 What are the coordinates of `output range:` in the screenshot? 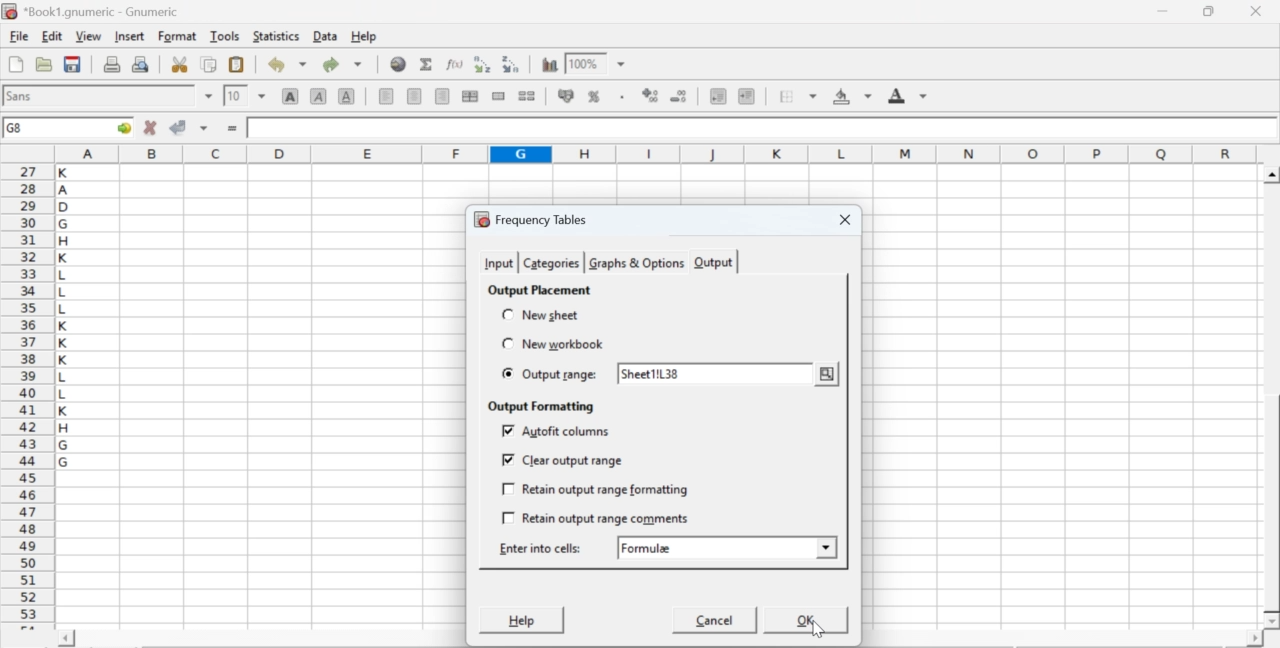 It's located at (551, 375).